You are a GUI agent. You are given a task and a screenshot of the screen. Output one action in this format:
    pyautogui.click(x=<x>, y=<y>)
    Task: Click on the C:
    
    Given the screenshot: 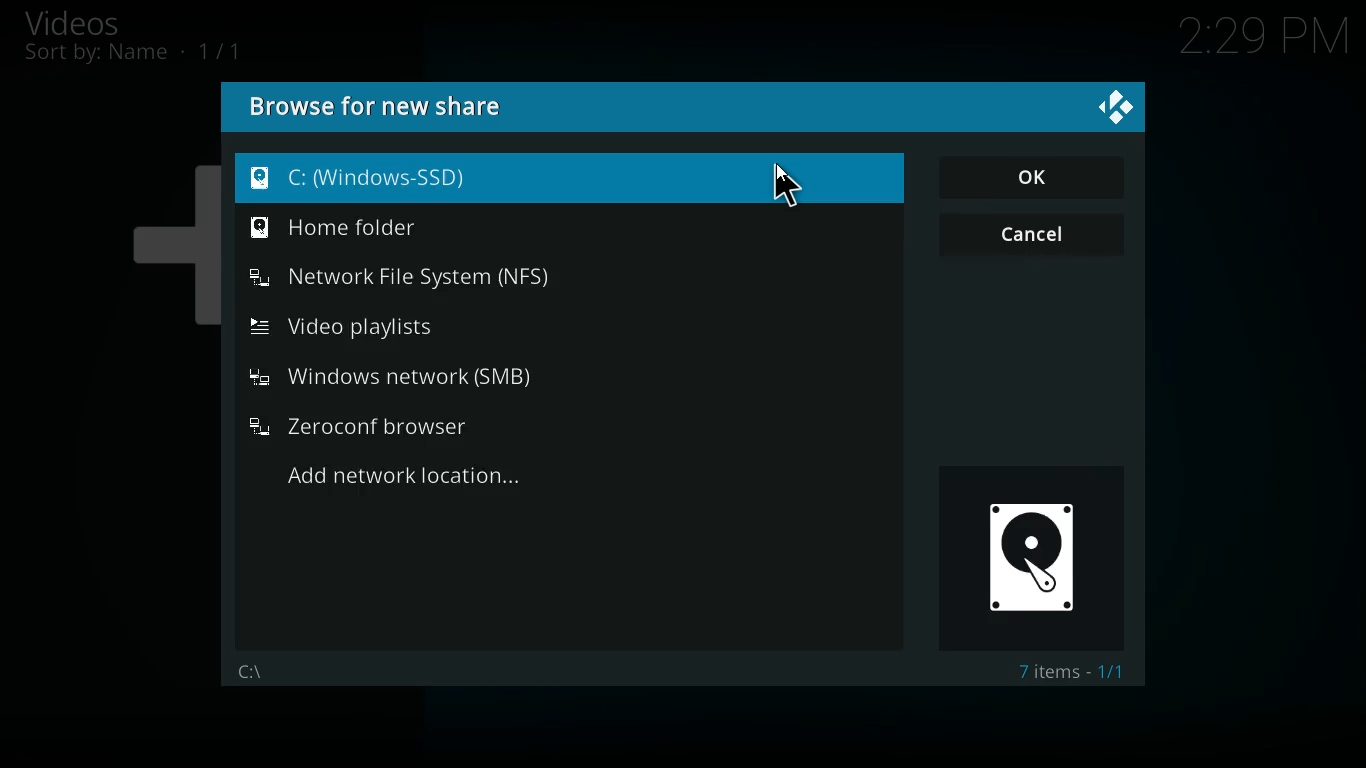 What is the action you would take?
    pyautogui.click(x=569, y=178)
    